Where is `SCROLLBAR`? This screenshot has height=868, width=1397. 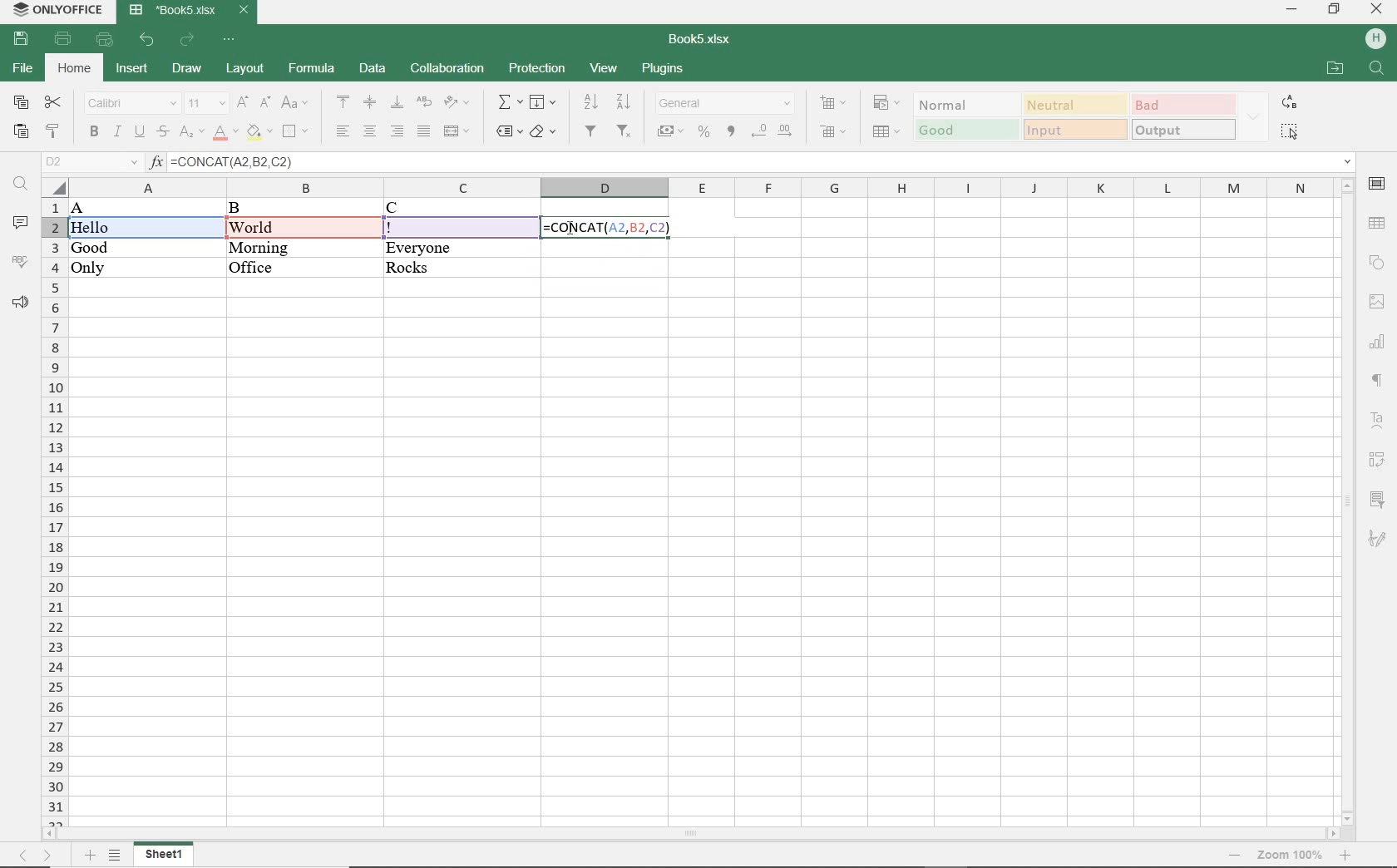 SCROLLBAR is located at coordinates (690, 831).